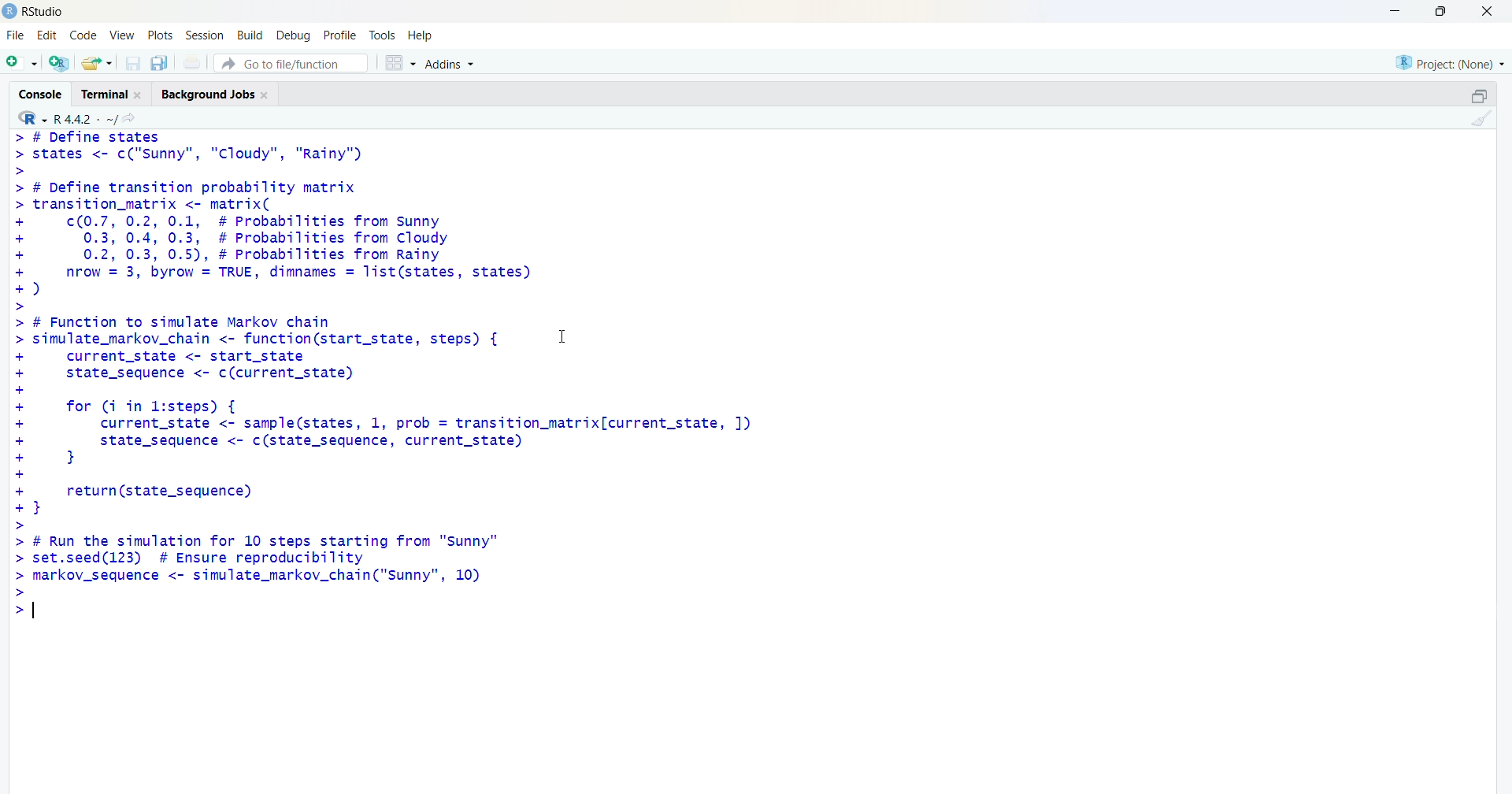 The width and height of the screenshot is (1512, 794). What do you see at coordinates (283, 221) in the screenshot?
I see `> # Define states> states <- c("sunny", "Cloudy", "Rainy")>> # Define transition probability matrix> transition_matrix <- matrix(- c(0.7, 0.2, 0.1, # Probabilities from Sunny+ 0.3, 0.4, 0.3, # Probabilities from Cloudy+ 0.2, 0.3, 0.5), # Probabilities from Rainy- nrow = 3, byrow = TRUE, dimnames = list(states, states)+)>-` at bounding box center [283, 221].